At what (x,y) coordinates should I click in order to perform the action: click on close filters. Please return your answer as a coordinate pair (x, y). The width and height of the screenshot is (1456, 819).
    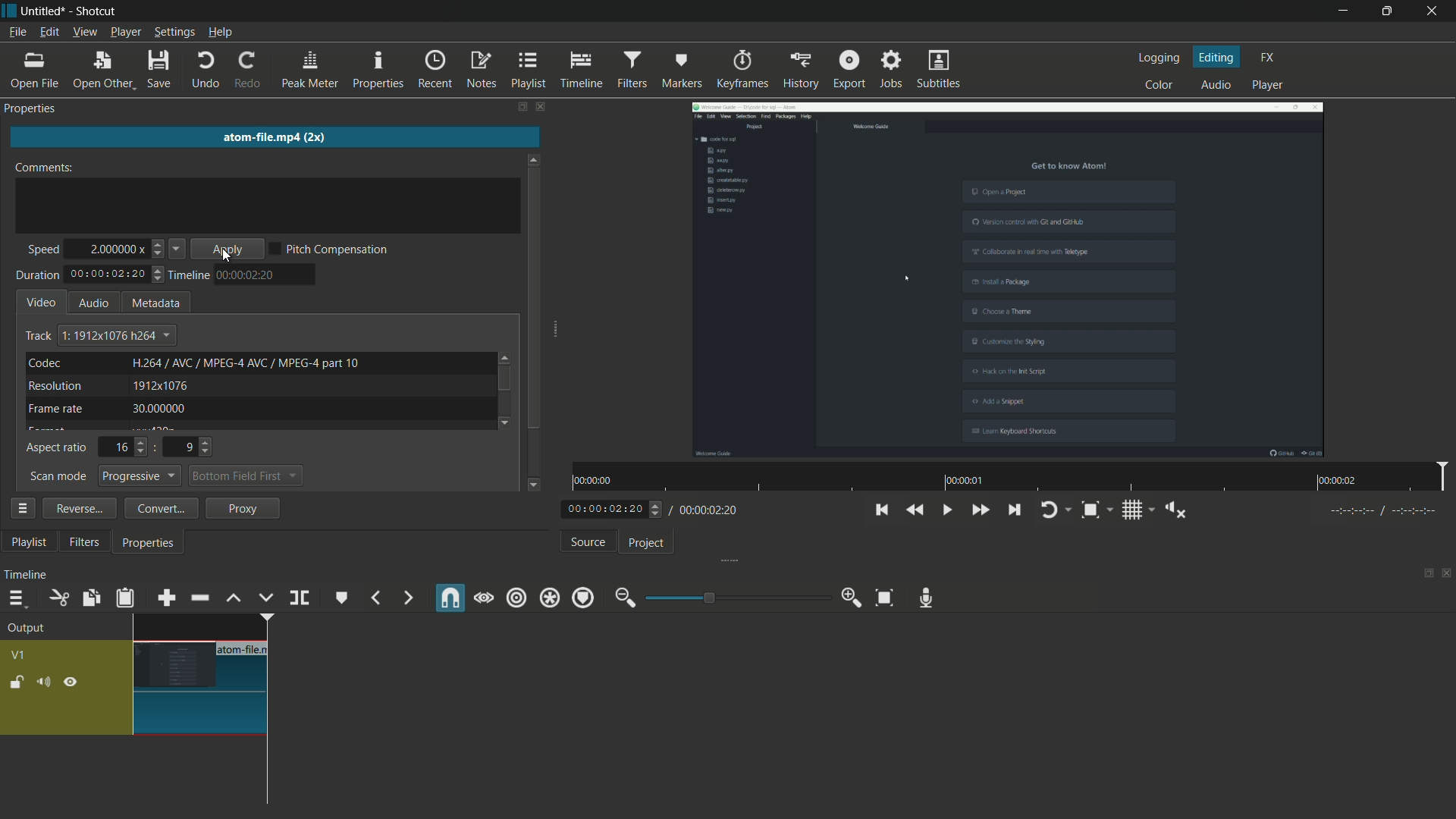
    Looking at the image, I should click on (543, 108).